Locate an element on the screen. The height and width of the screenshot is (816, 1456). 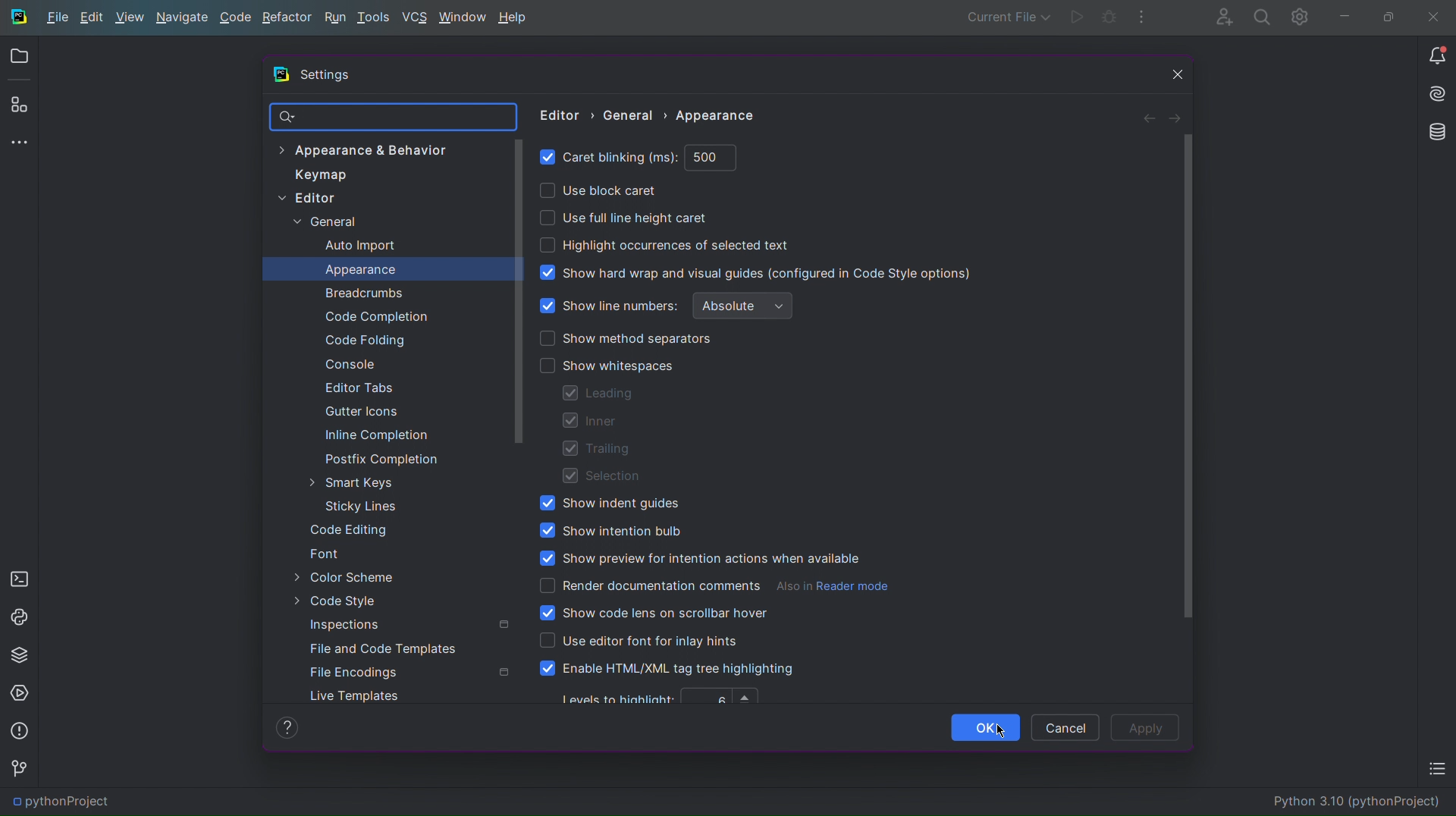
Edit is located at coordinates (89, 19).